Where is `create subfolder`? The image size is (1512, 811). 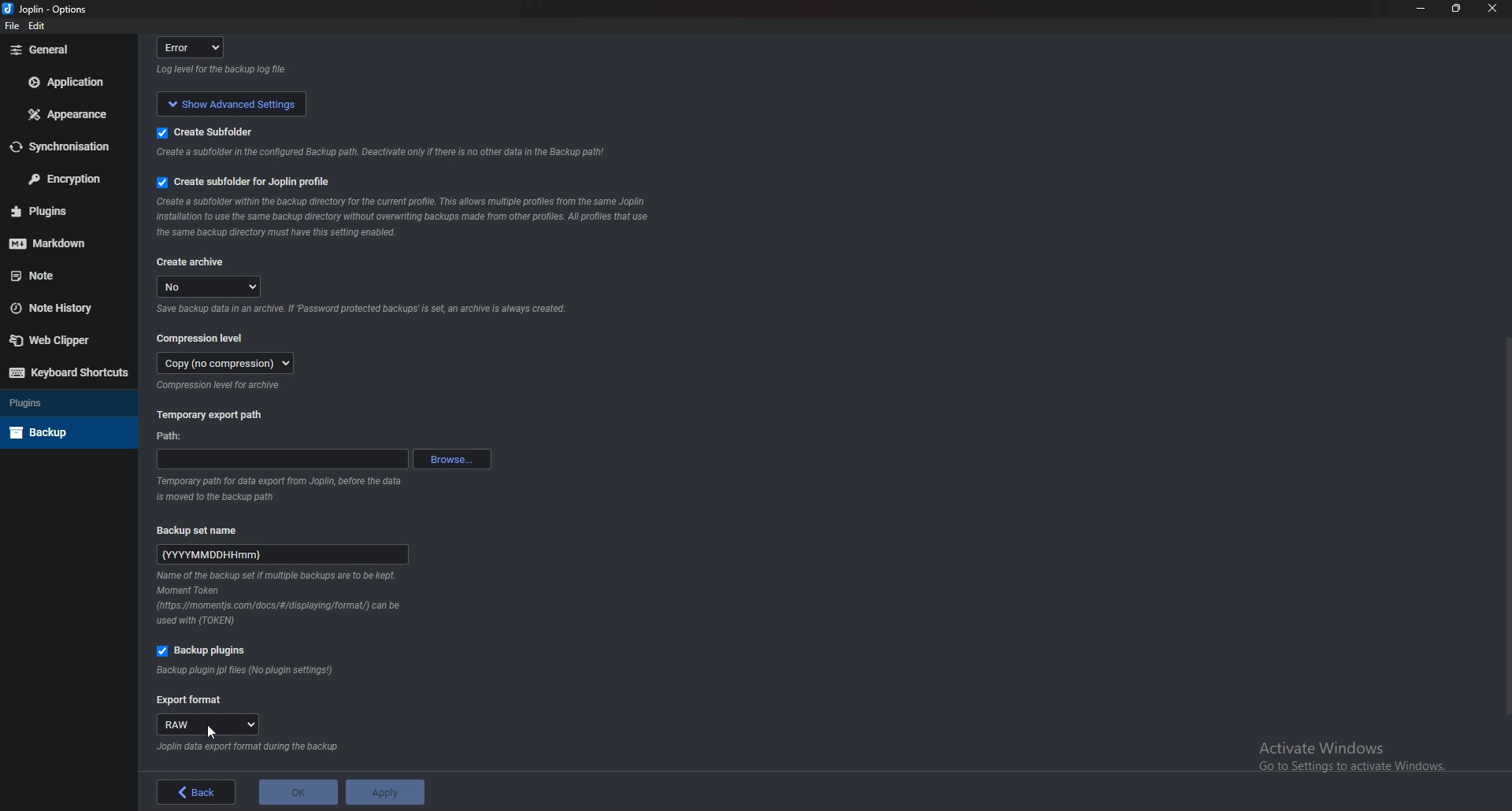
create subfolder is located at coordinates (226, 131).